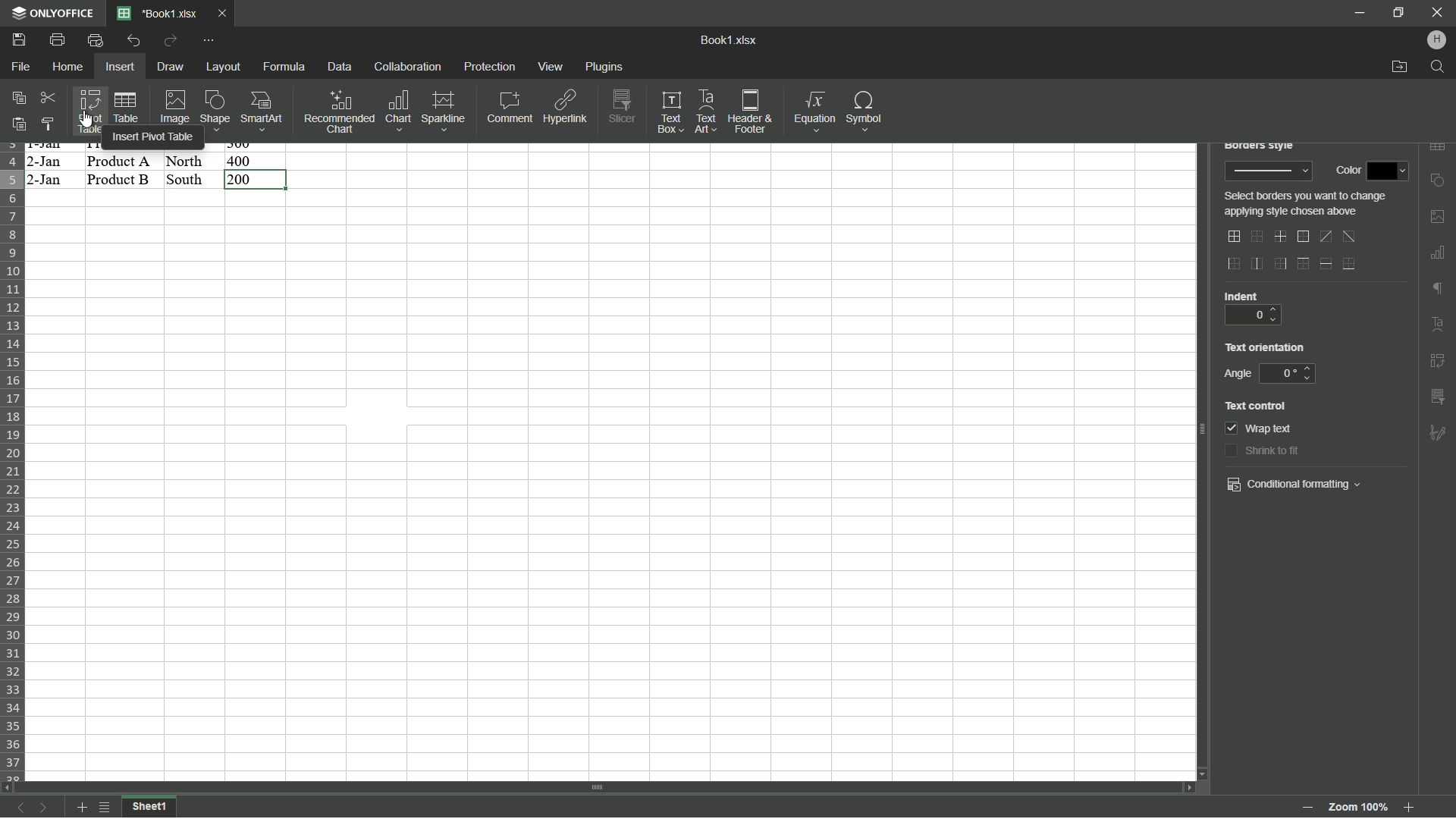 This screenshot has height=819, width=1456. I want to click on Layout, so click(221, 66).